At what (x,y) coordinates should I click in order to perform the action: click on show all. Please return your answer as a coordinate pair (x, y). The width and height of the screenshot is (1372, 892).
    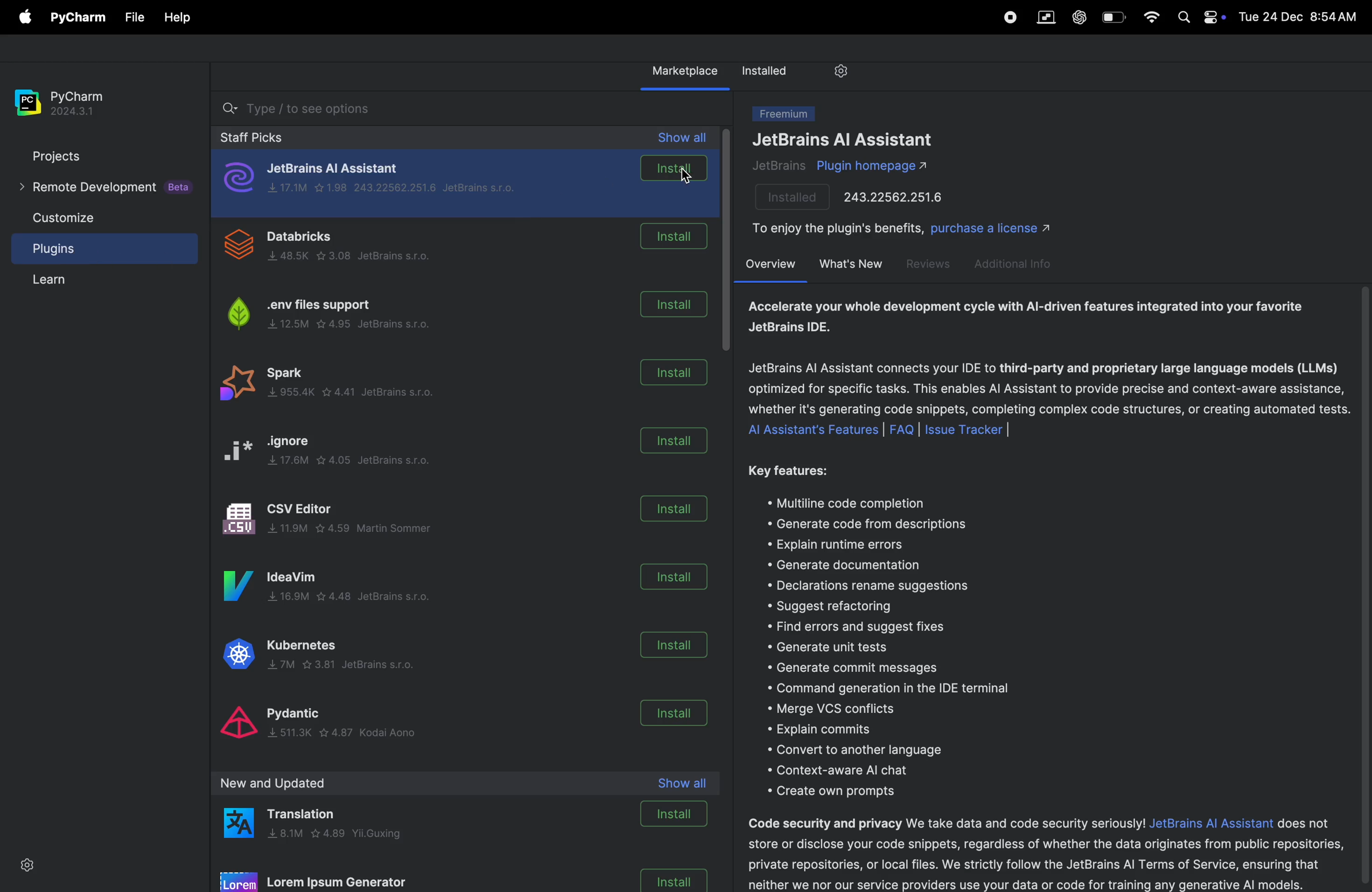
    Looking at the image, I should click on (680, 783).